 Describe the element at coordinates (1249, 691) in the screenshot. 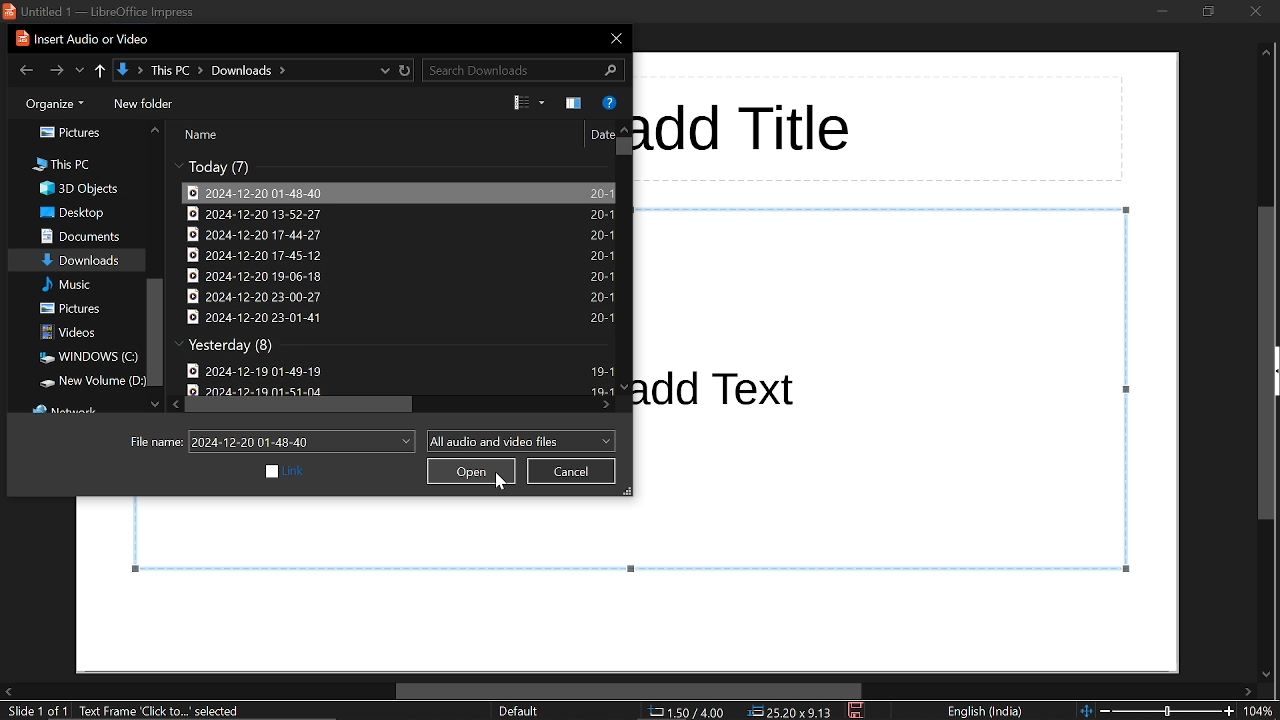

I see `move right` at that location.